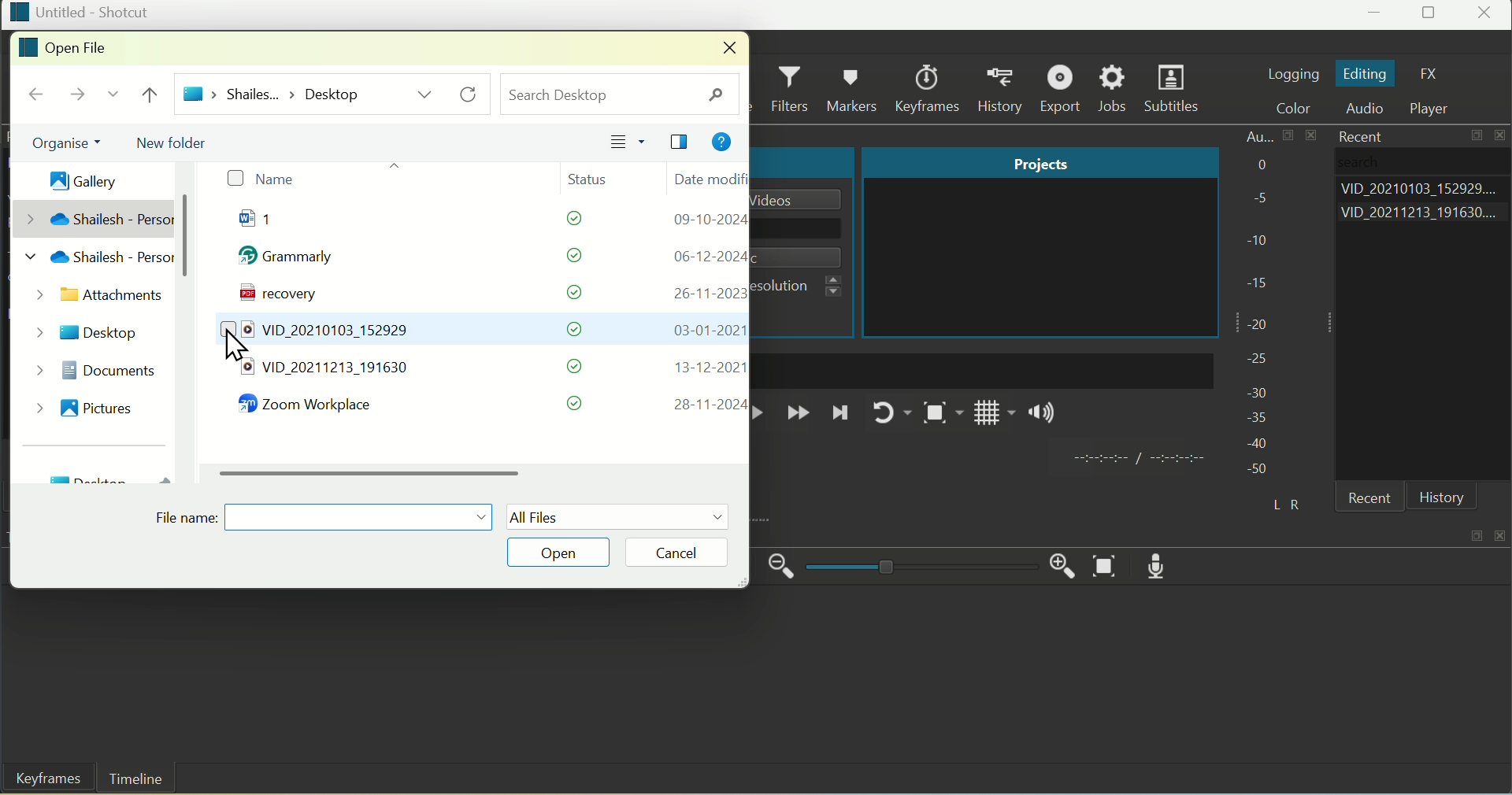  What do you see at coordinates (724, 49) in the screenshot?
I see `close` at bounding box center [724, 49].